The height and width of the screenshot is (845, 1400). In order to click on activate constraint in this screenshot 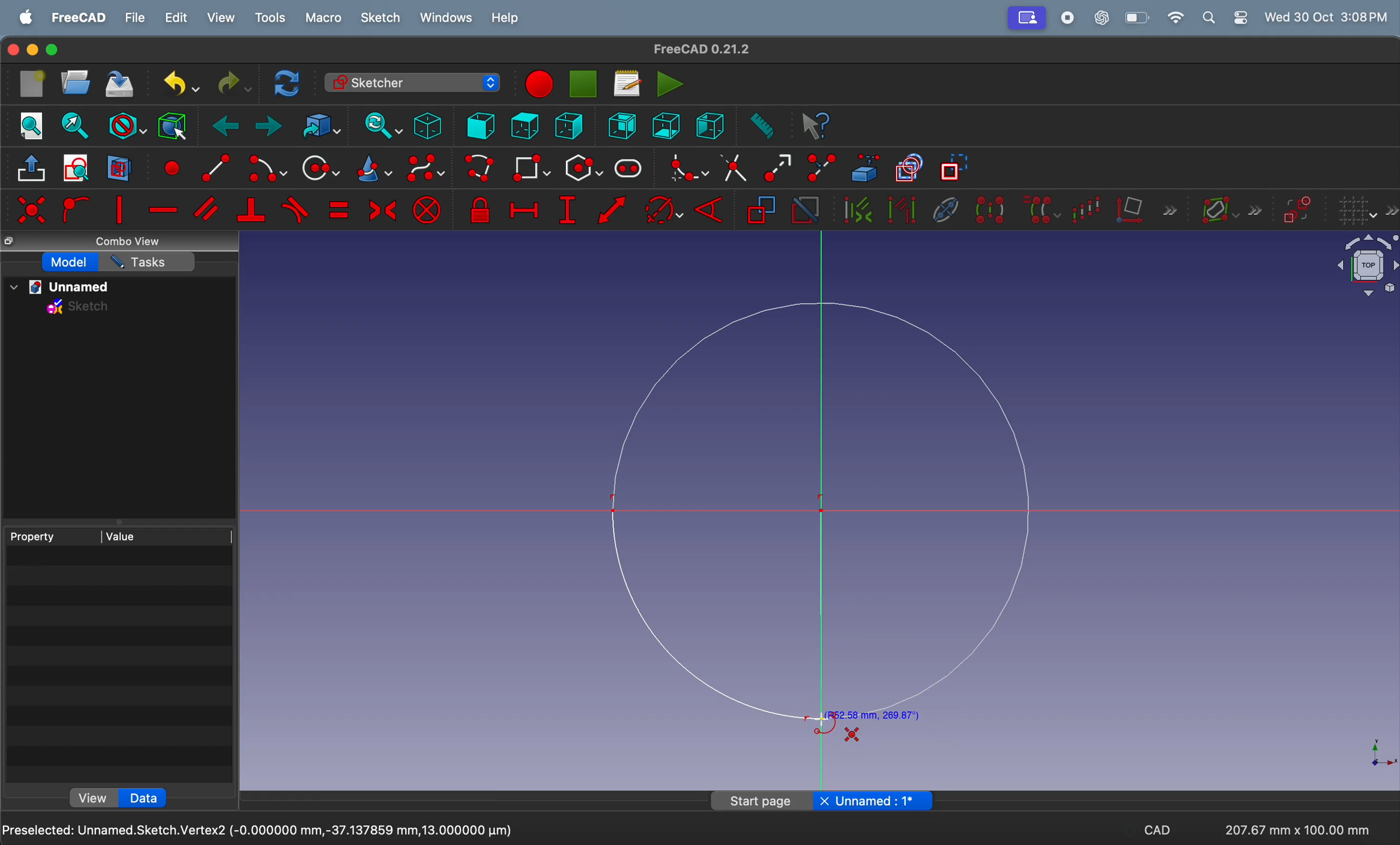, I will do `click(805, 211)`.